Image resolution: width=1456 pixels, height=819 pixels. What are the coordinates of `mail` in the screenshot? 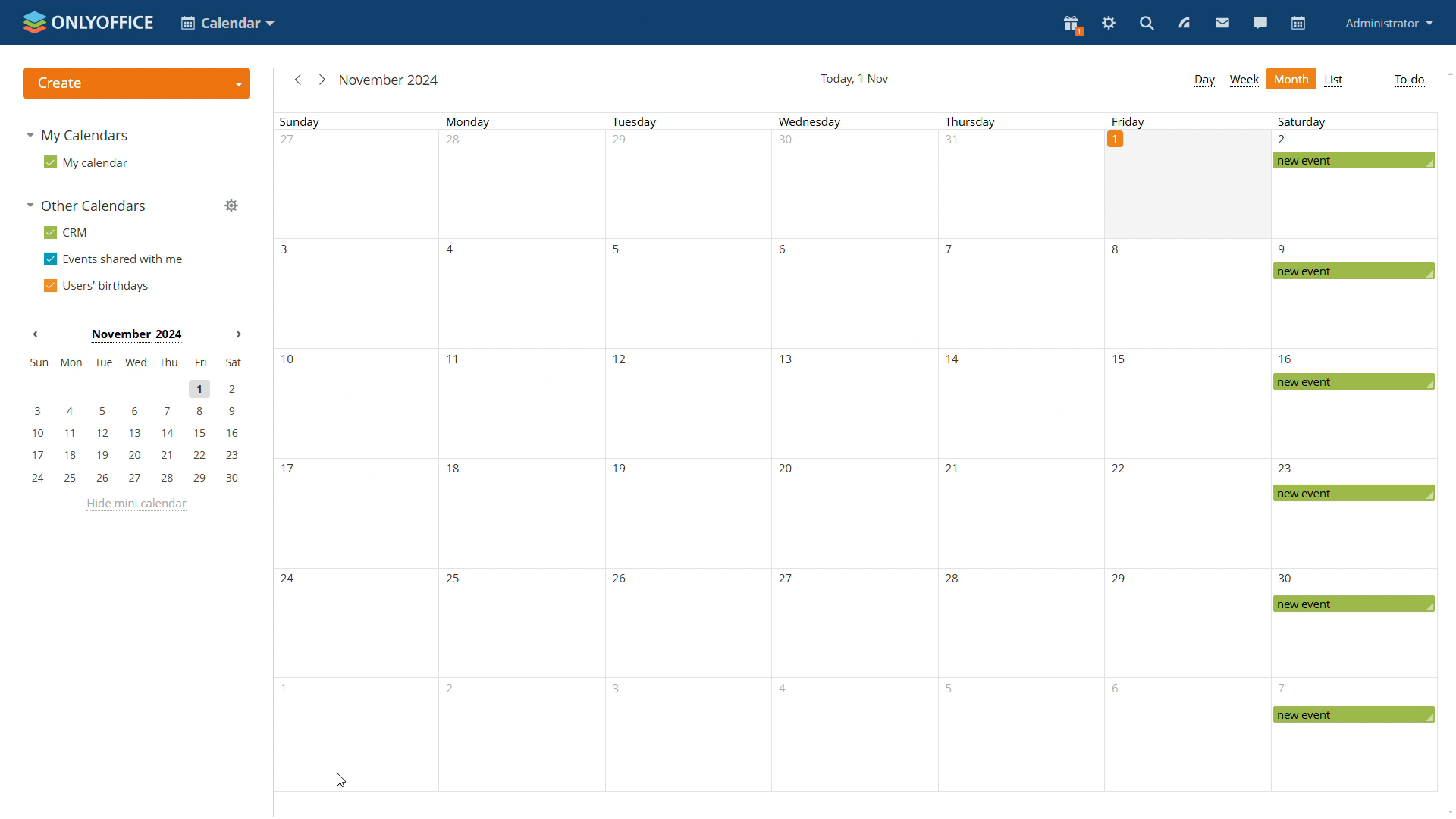 It's located at (1223, 24).